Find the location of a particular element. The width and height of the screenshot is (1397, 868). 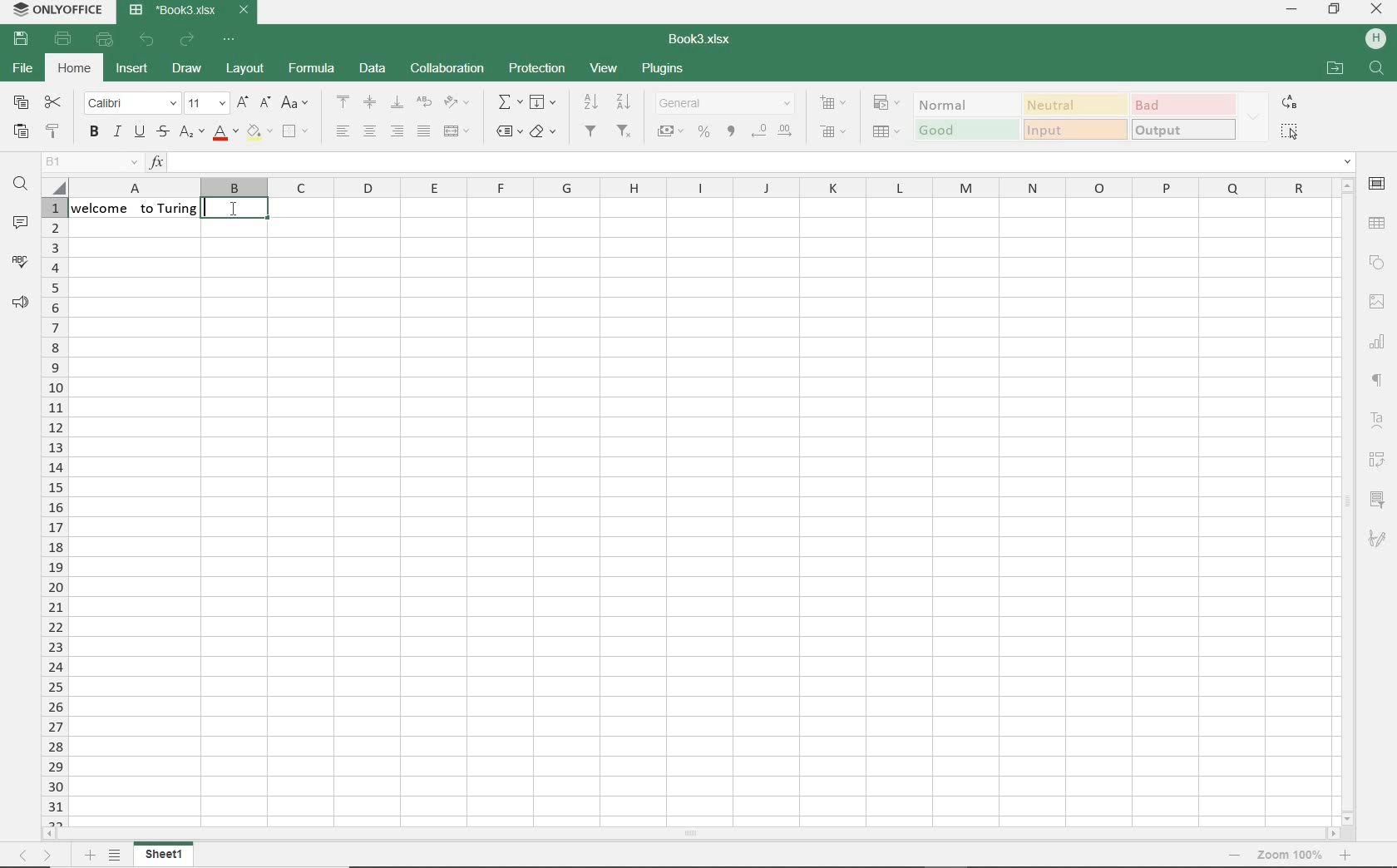

strikethrough is located at coordinates (164, 133).